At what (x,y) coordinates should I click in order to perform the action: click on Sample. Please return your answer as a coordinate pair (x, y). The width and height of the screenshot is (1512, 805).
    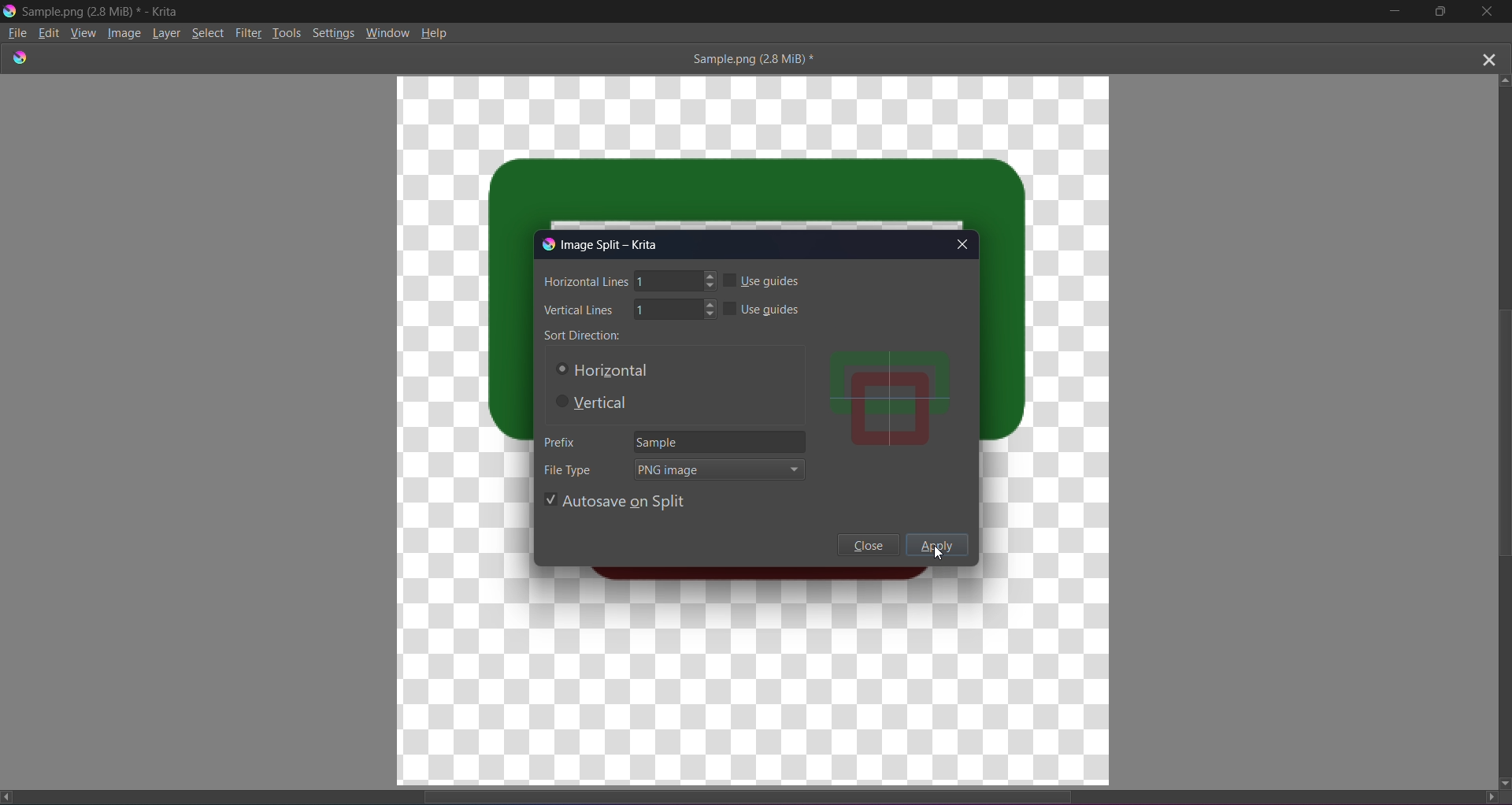
    Looking at the image, I should click on (721, 440).